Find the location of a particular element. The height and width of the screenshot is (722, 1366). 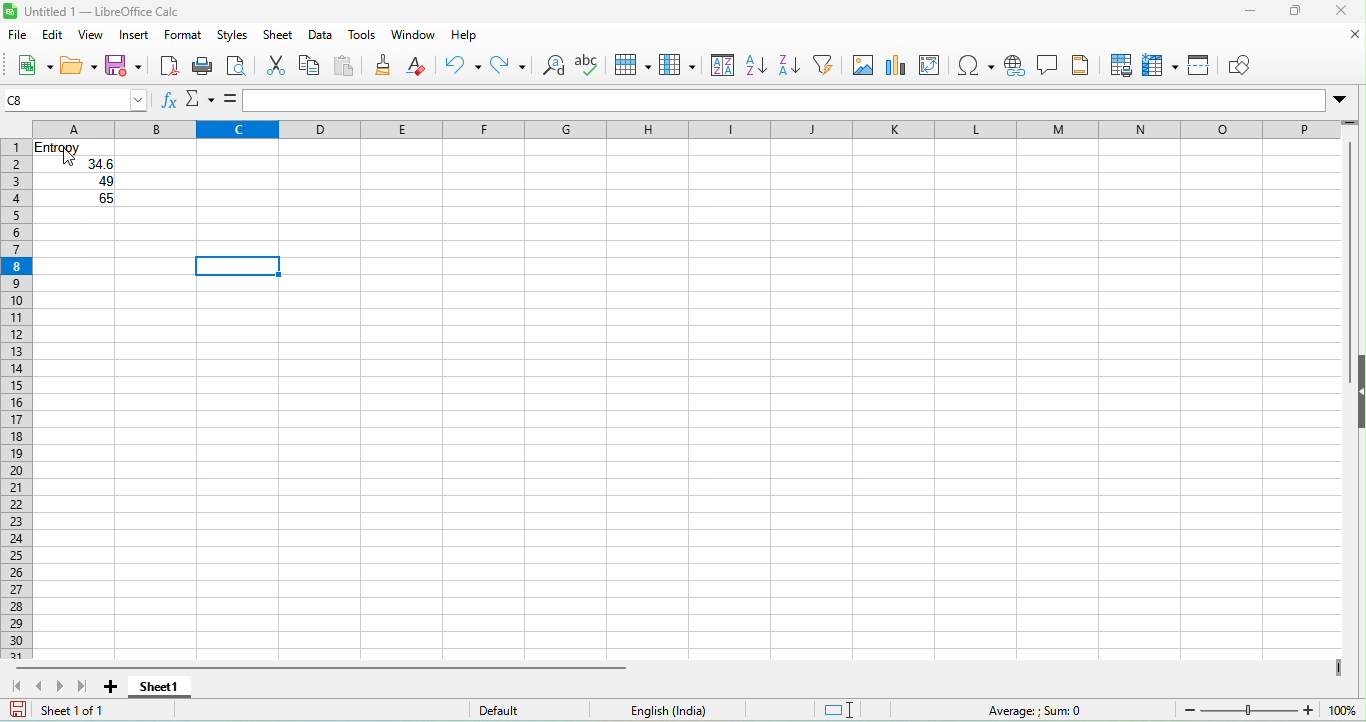

find and replace is located at coordinates (551, 67).